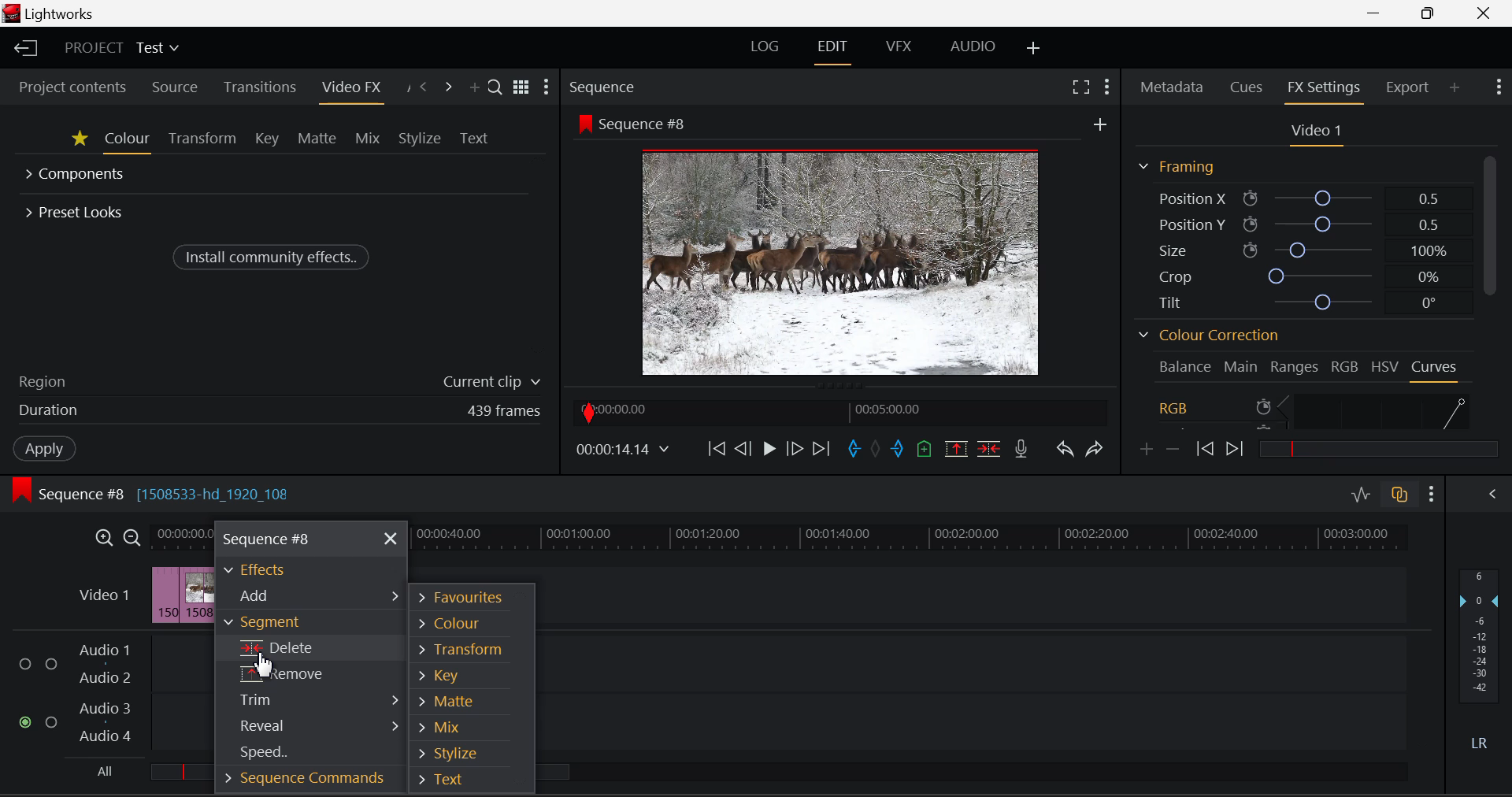 The image size is (1512, 797). What do you see at coordinates (1494, 294) in the screenshot?
I see `Scroll Bar` at bounding box center [1494, 294].